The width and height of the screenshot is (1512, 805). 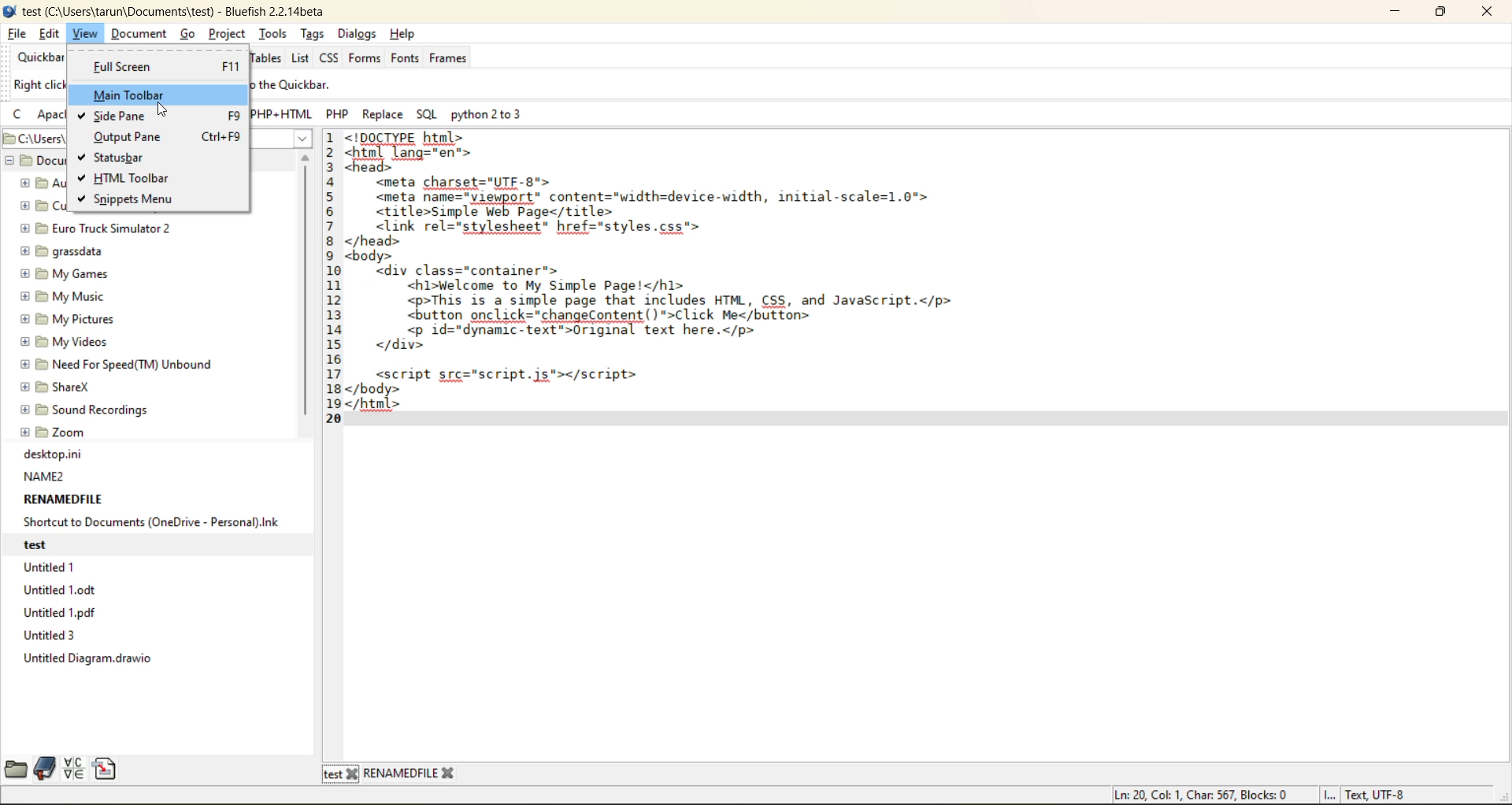 What do you see at coordinates (270, 35) in the screenshot?
I see `tools` at bounding box center [270, 35].